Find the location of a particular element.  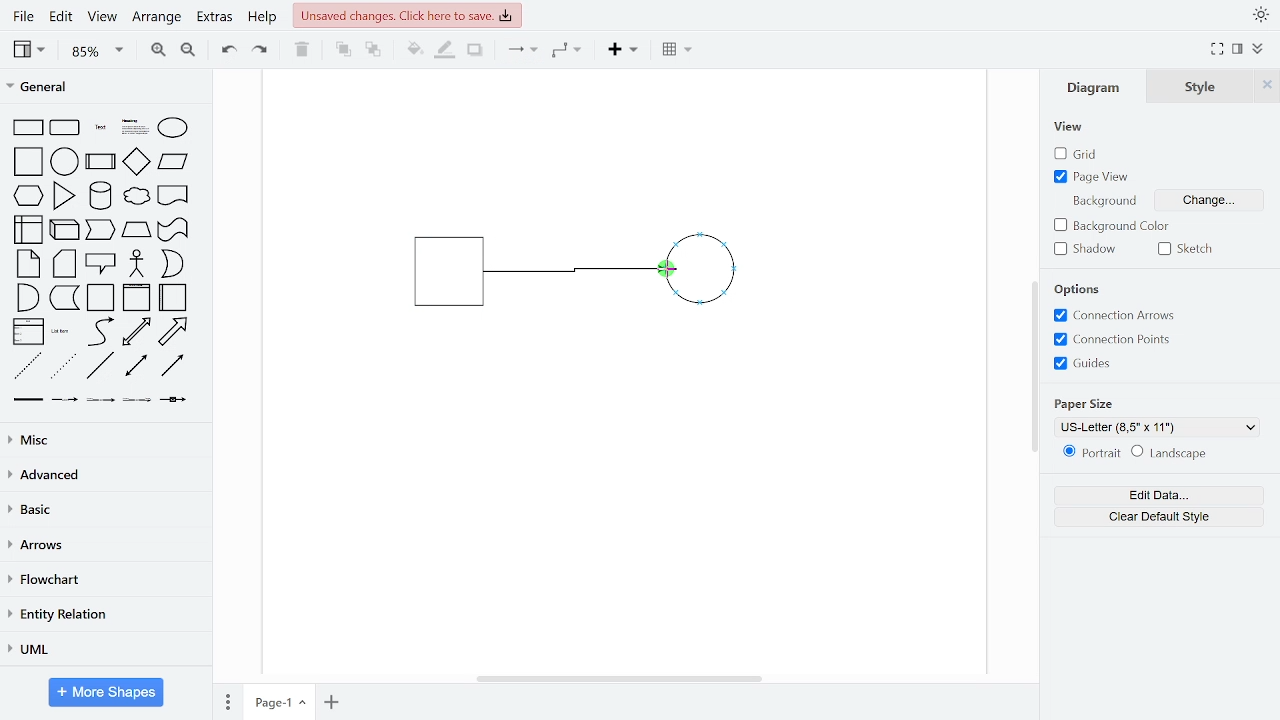

background is located at coordinates (1102, 200).